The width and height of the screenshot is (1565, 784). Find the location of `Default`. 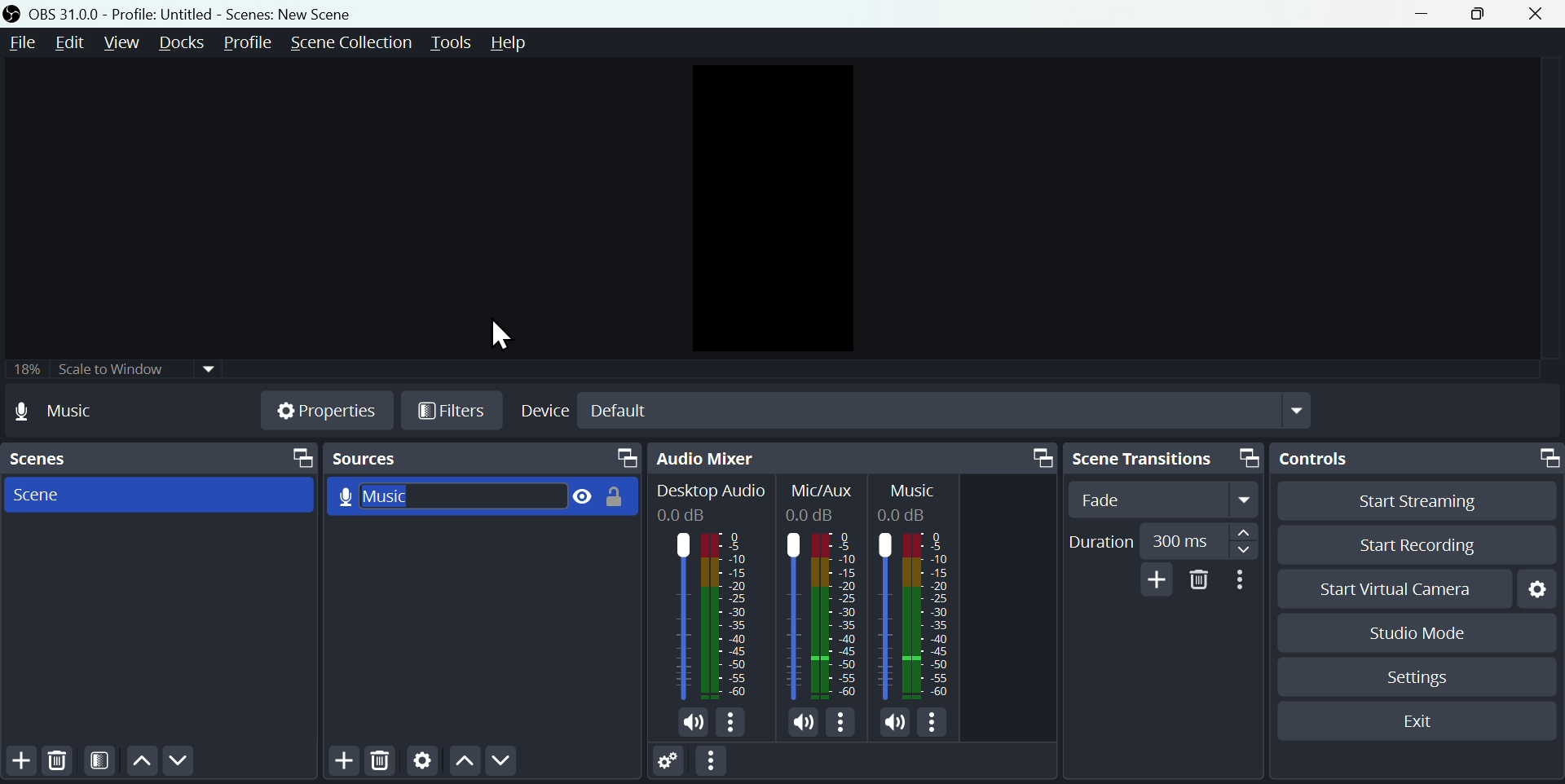

Default is located at coordinates (620, 411).